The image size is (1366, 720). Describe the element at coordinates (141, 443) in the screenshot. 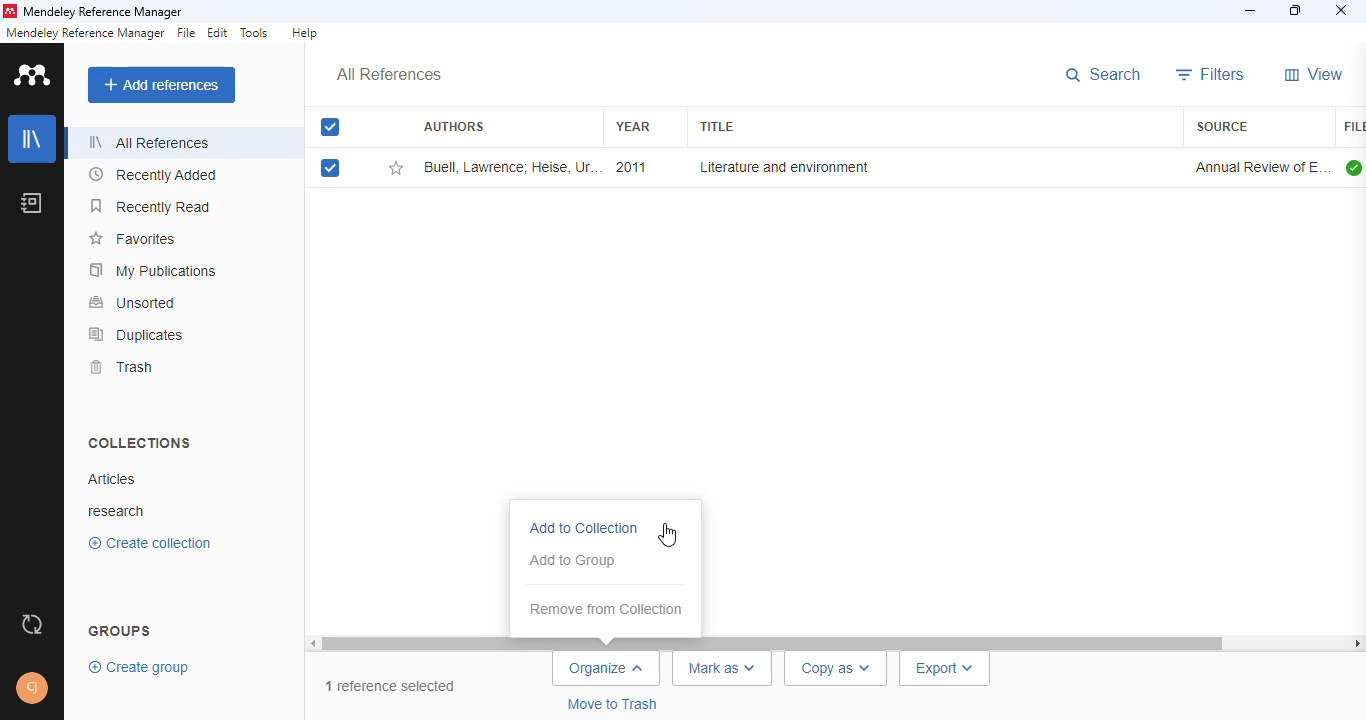

I see `collections` at that location.